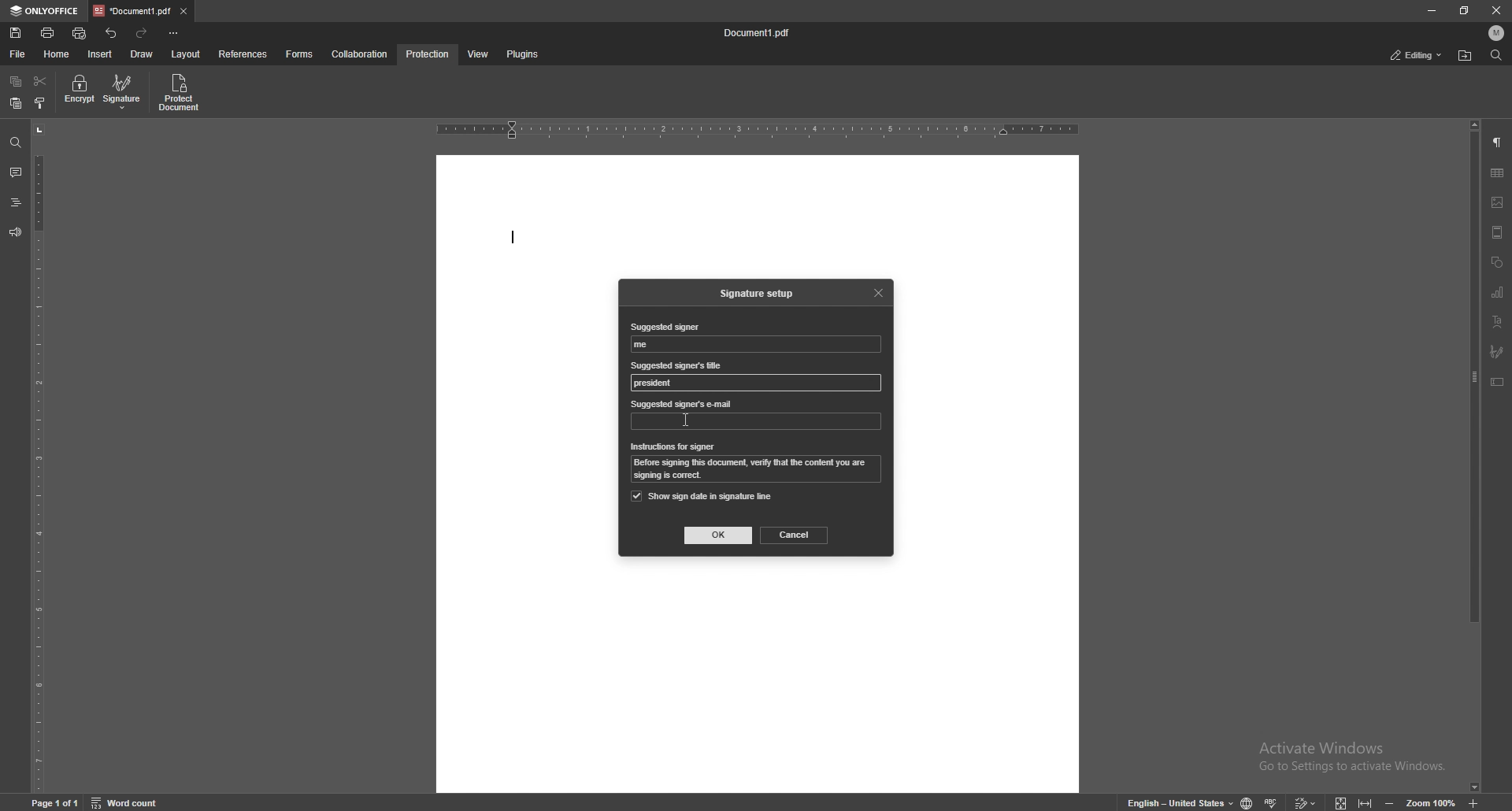 The image size is (1512, 811). What do you see at coordinates (1340, 751) in the screenshot?
I see `Activate windows` at bounding box center [1340, 751].